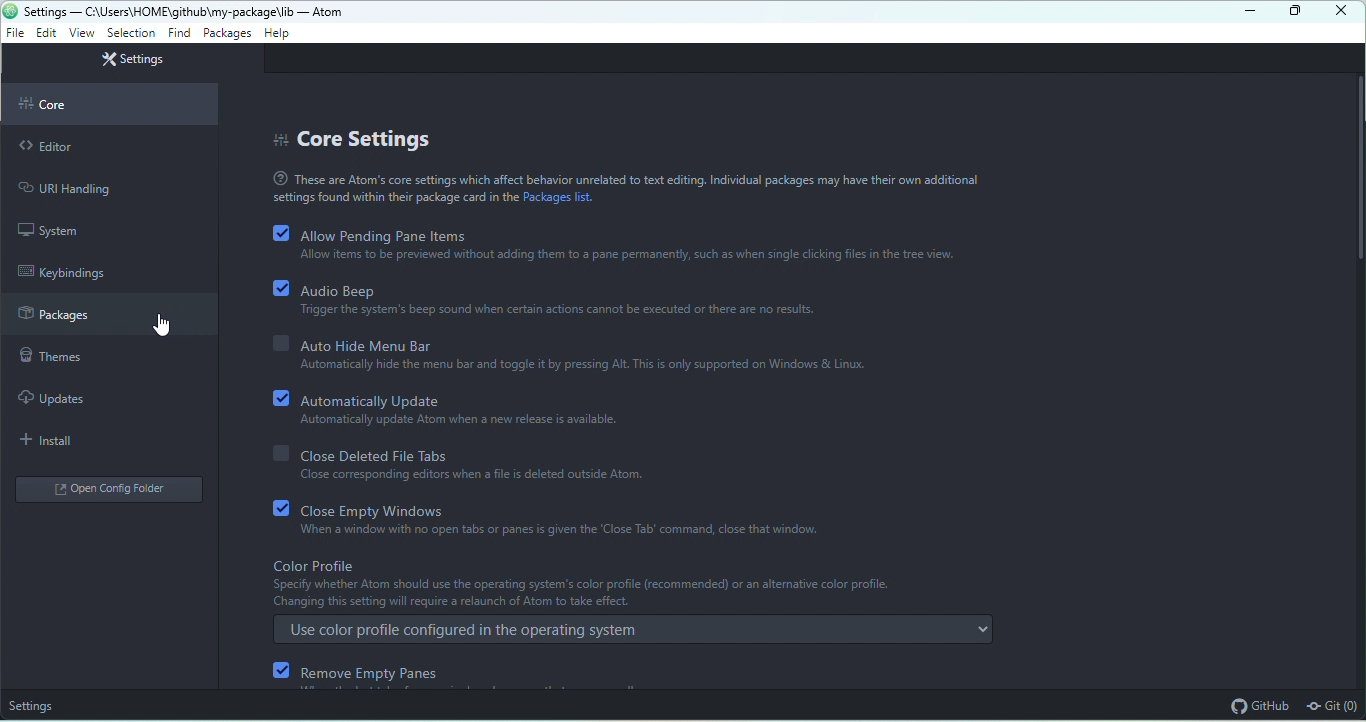  I want to click on lose corresponding editors when a file is deleted outside Atom., so click(448, 478).